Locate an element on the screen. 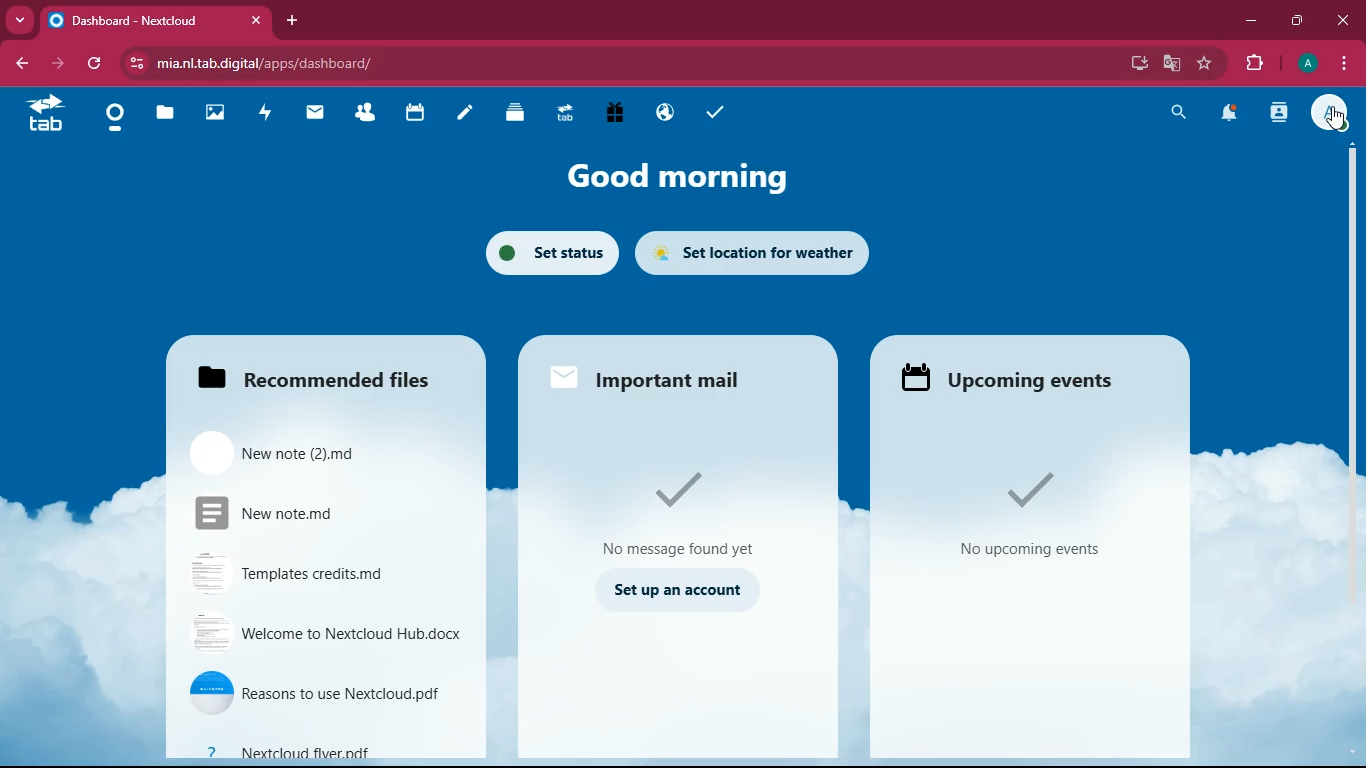 This screenshot has height=768, width=1366. notifications is located at coordinates (1232, 114).